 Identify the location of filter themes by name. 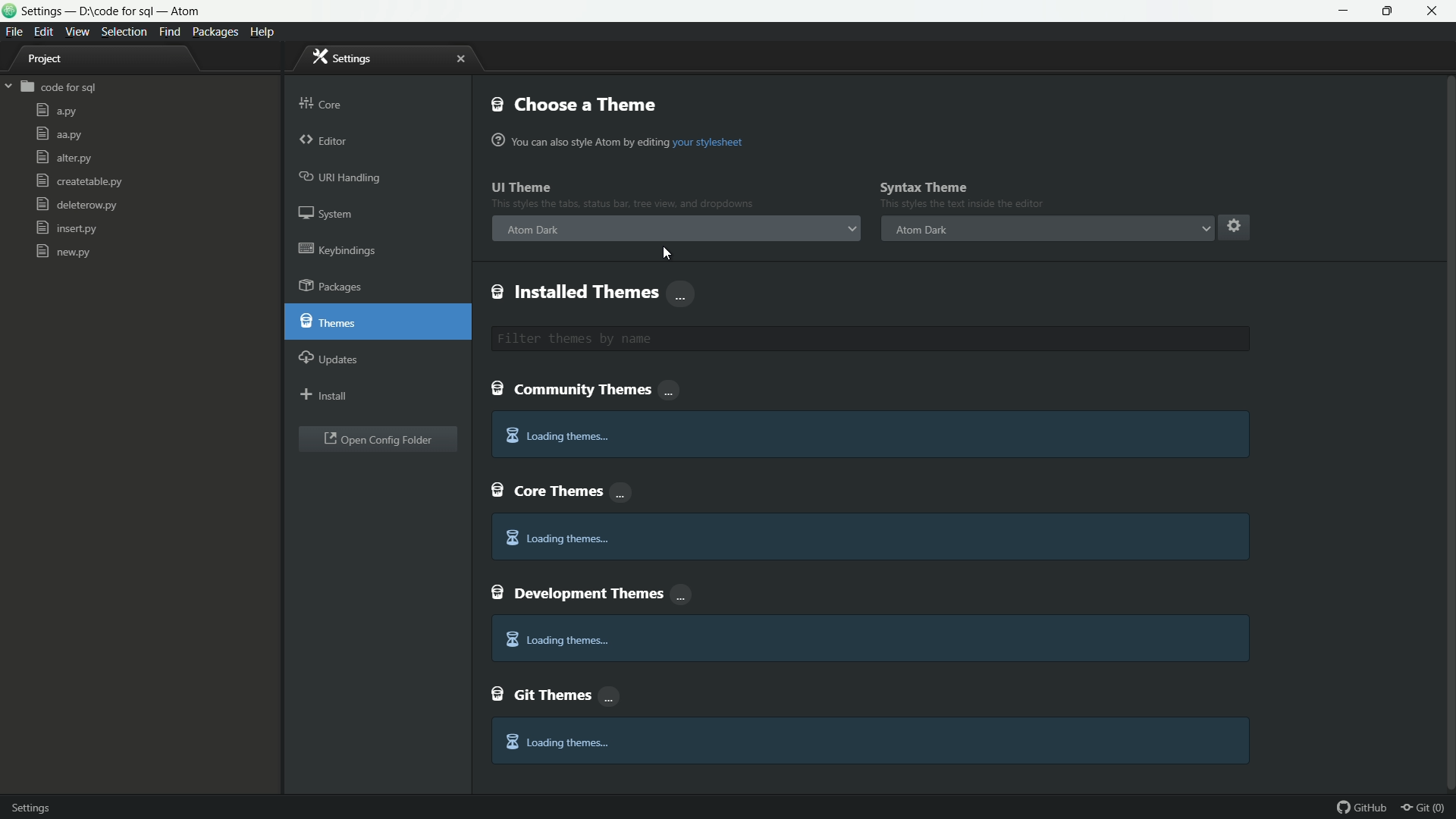
(871, 339).